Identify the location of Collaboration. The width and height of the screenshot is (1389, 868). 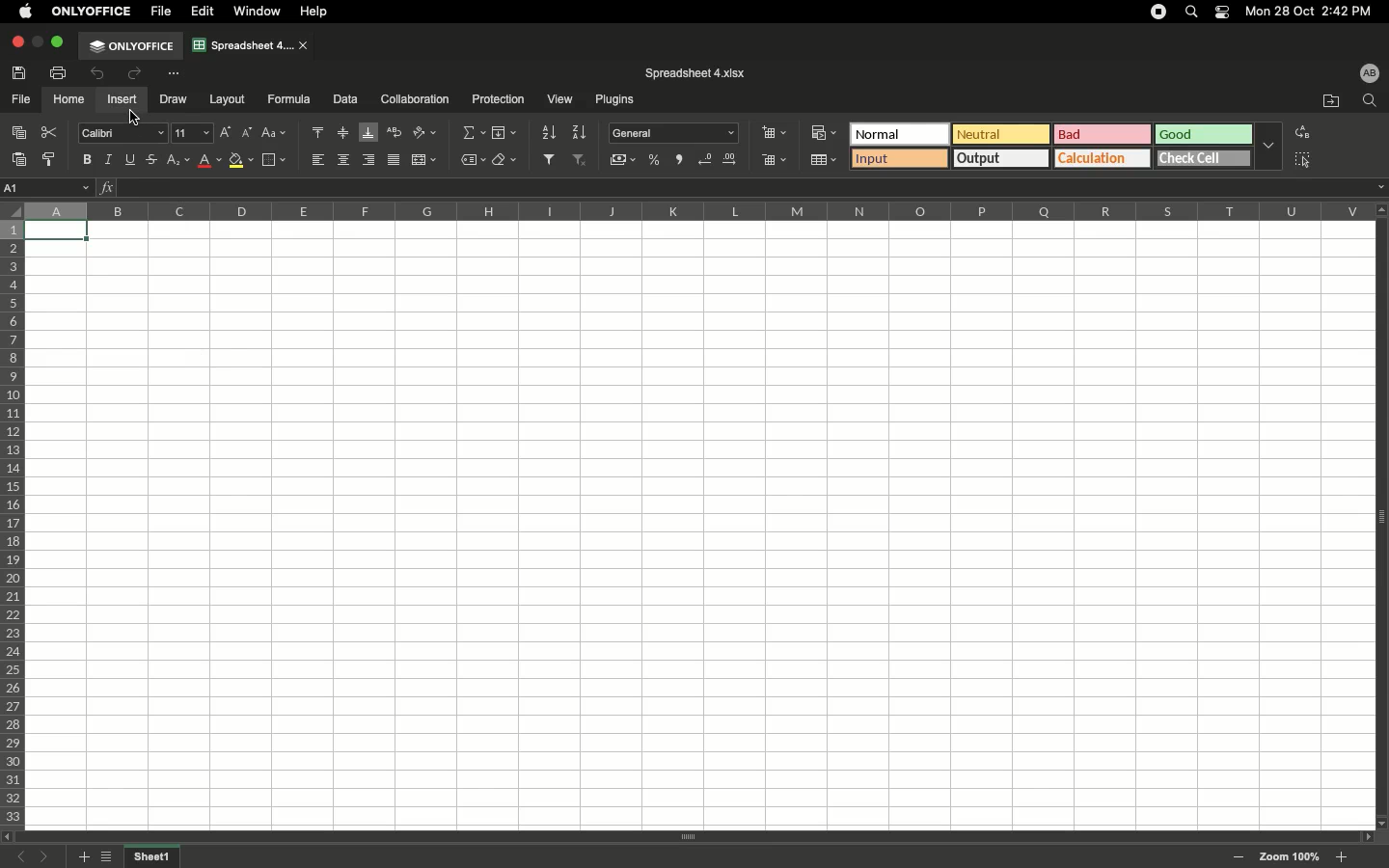
(416, 100).